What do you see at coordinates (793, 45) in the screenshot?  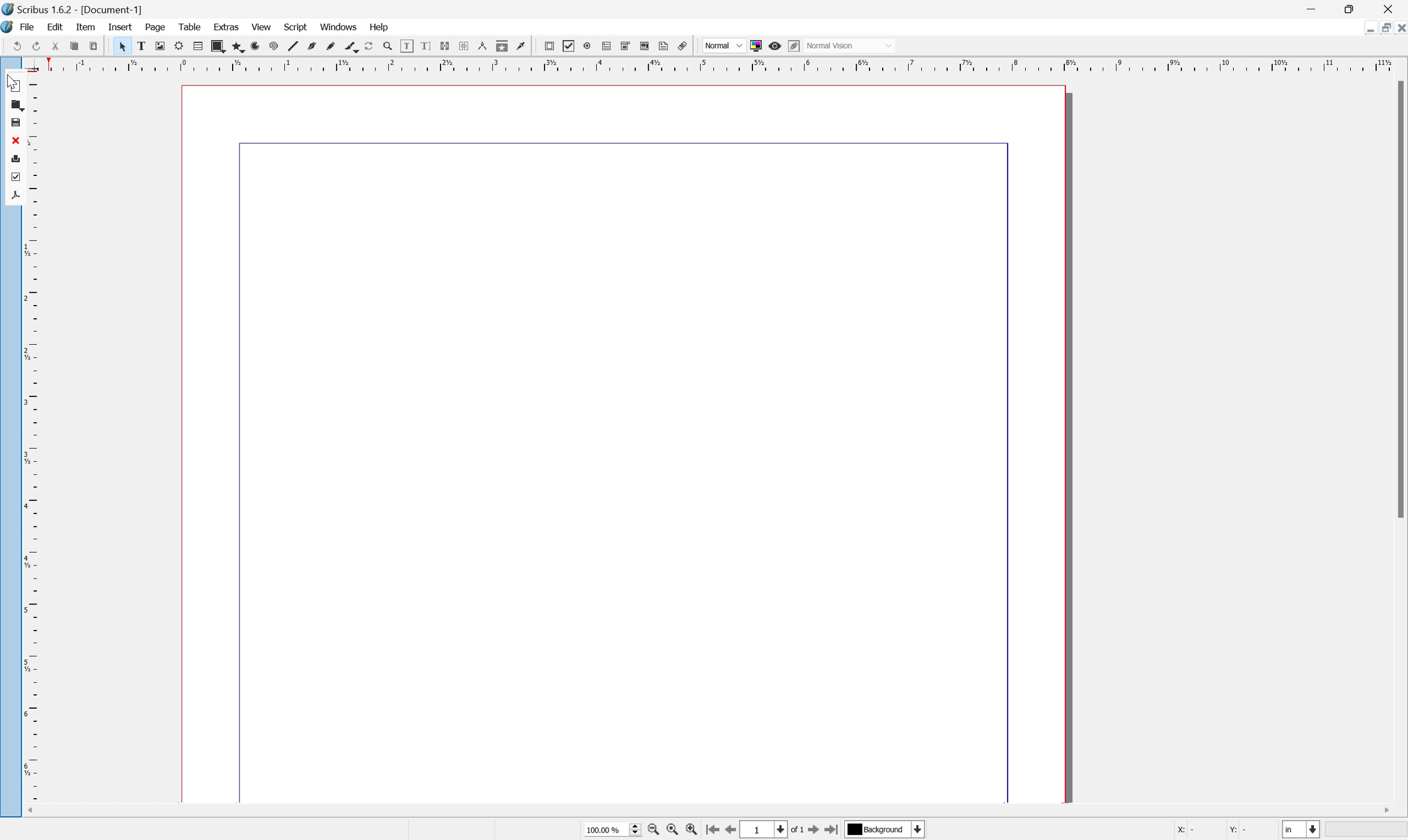 I see `edit in preview mode` at bounding box center [793, 45].